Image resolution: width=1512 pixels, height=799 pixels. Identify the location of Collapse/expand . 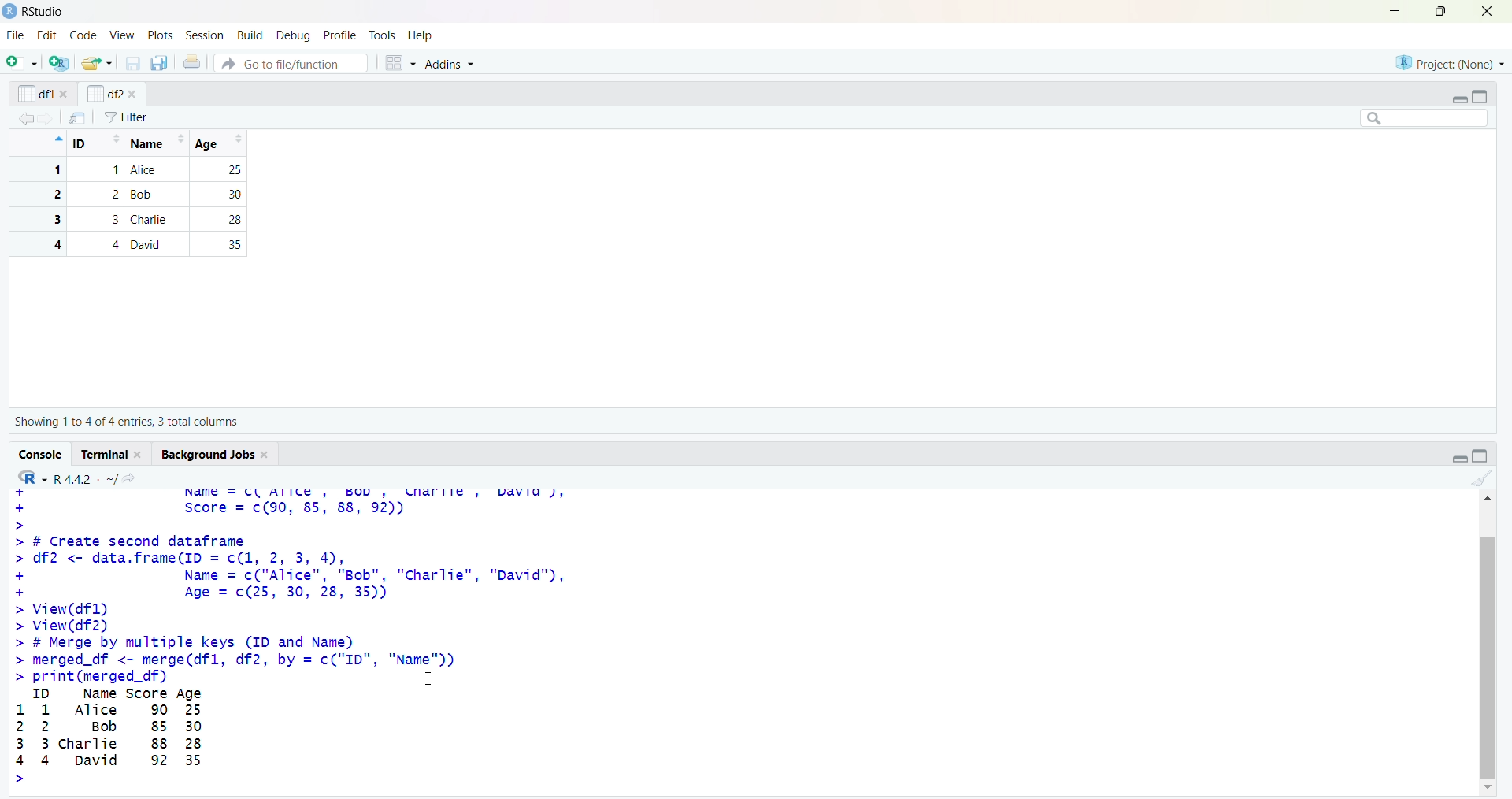
(1458, 100).